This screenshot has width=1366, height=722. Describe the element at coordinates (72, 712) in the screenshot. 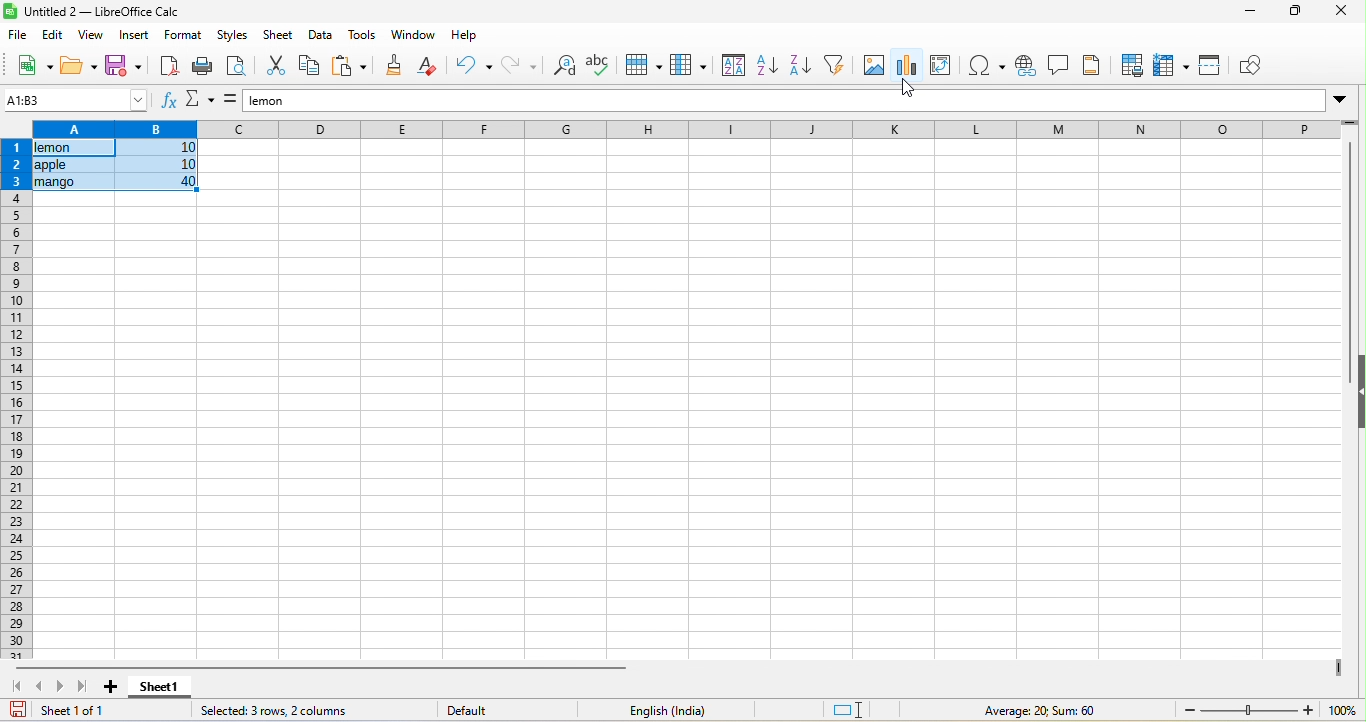

I see `sheet 1 of 1` at that location.